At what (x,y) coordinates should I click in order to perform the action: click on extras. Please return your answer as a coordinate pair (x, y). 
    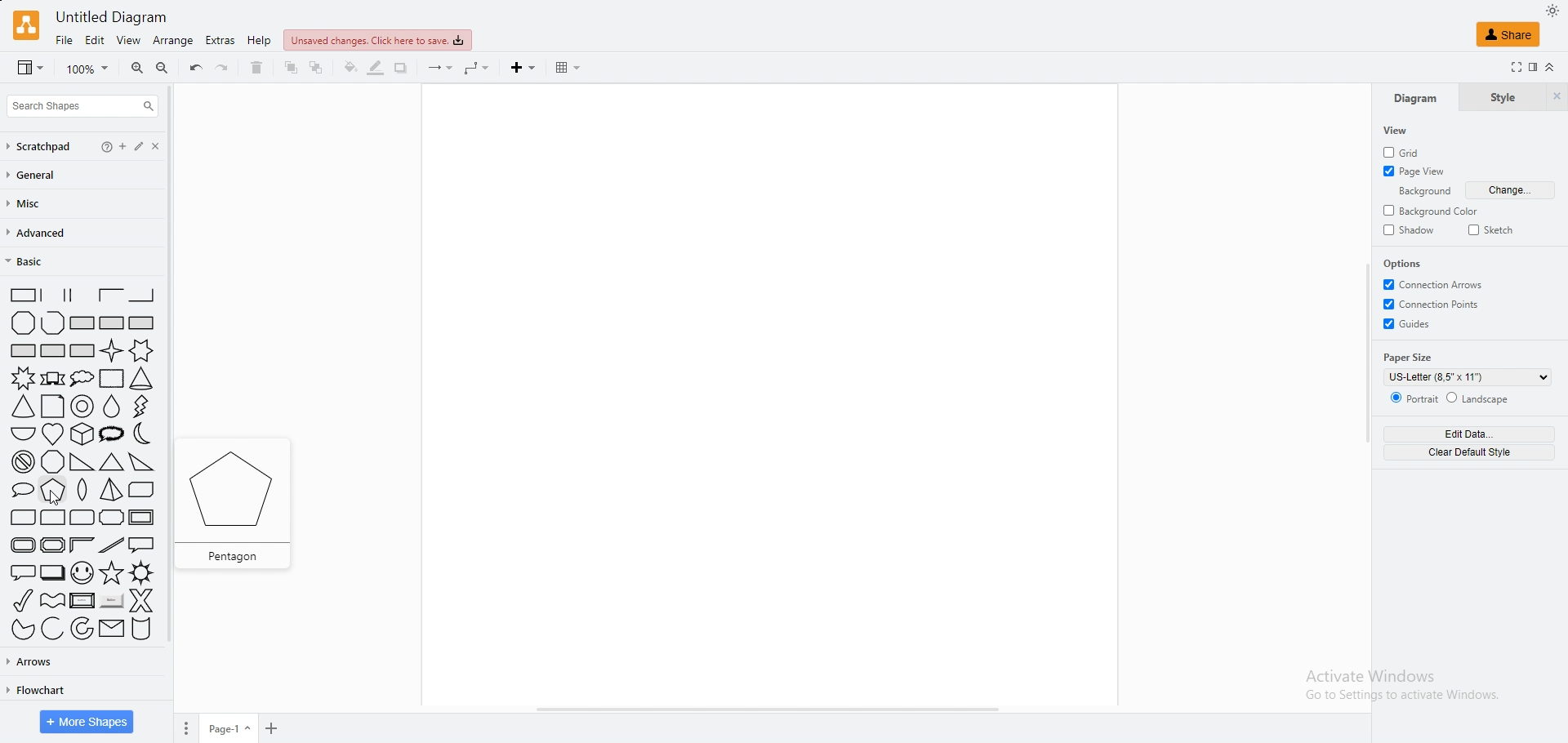
    Looking at the image, I should click on (220, 40).